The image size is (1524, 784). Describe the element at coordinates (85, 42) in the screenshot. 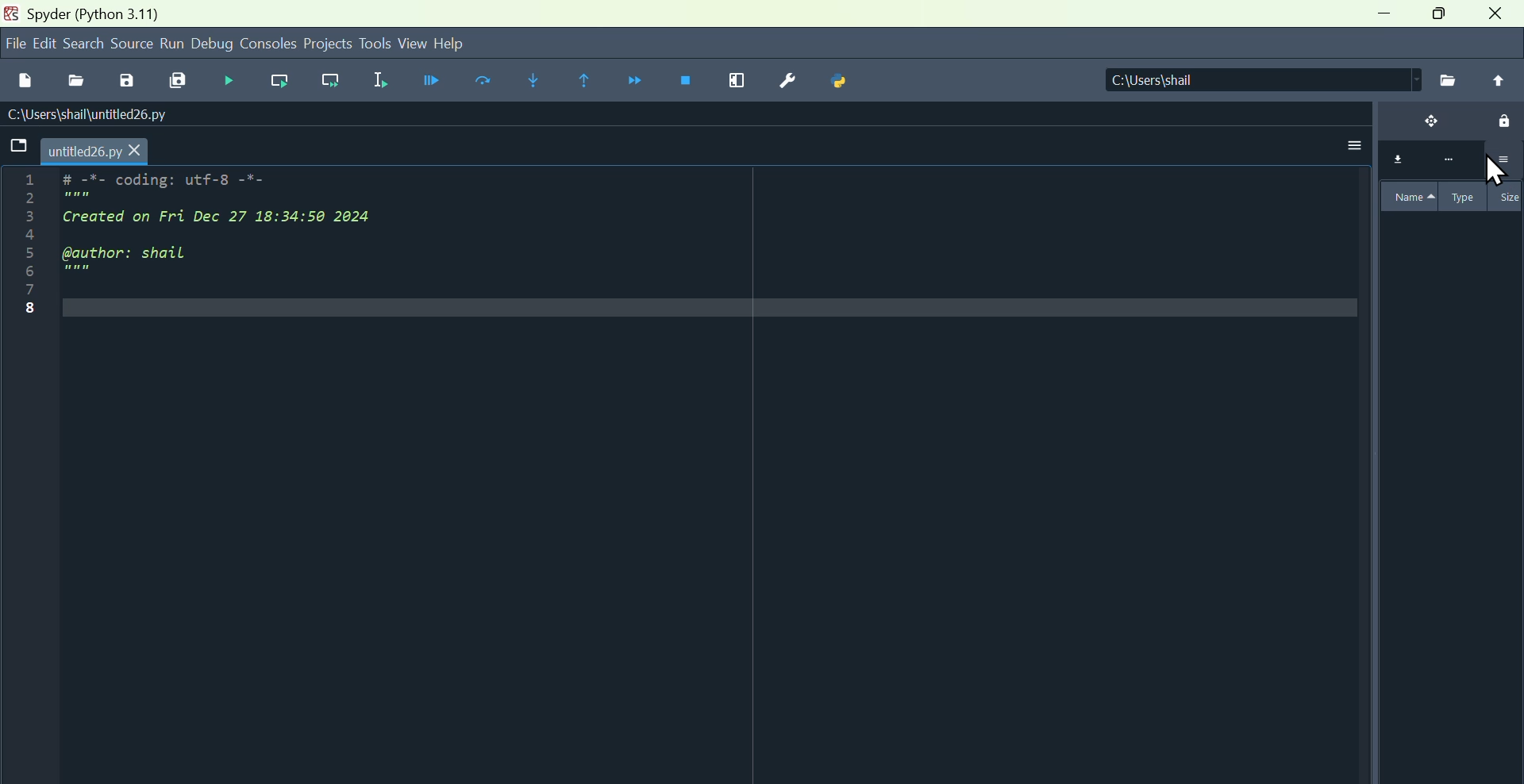

I see `search` at that location.